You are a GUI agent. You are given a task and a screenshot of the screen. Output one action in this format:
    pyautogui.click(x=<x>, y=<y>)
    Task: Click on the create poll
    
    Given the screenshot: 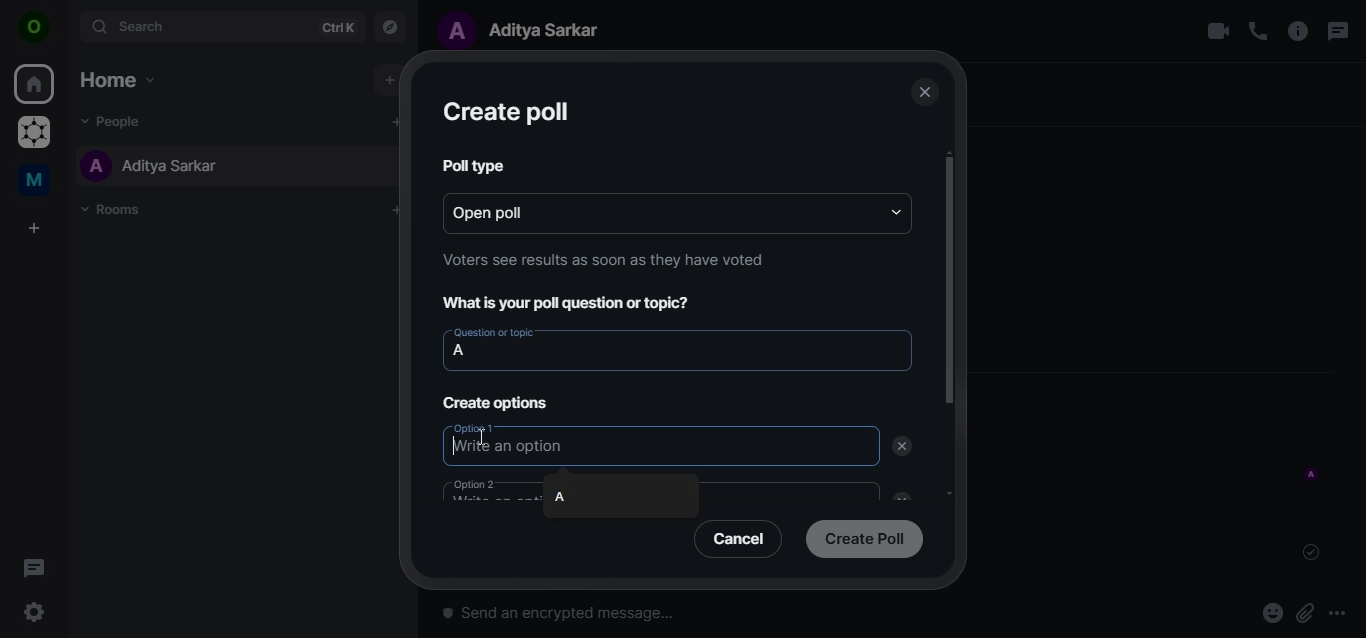 What is the action you would take?
    pyautogui.click(x=505, y=113)
    